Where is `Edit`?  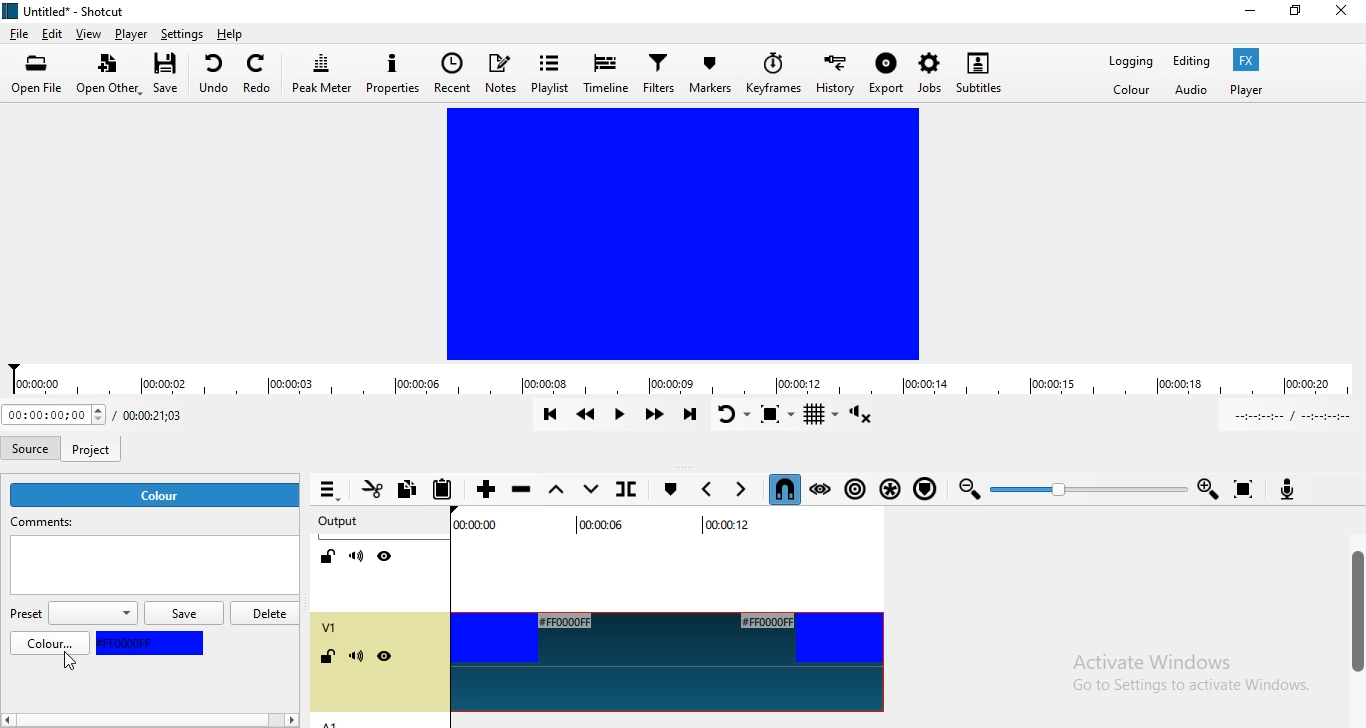 Edit is located at coordinates (53, 33).